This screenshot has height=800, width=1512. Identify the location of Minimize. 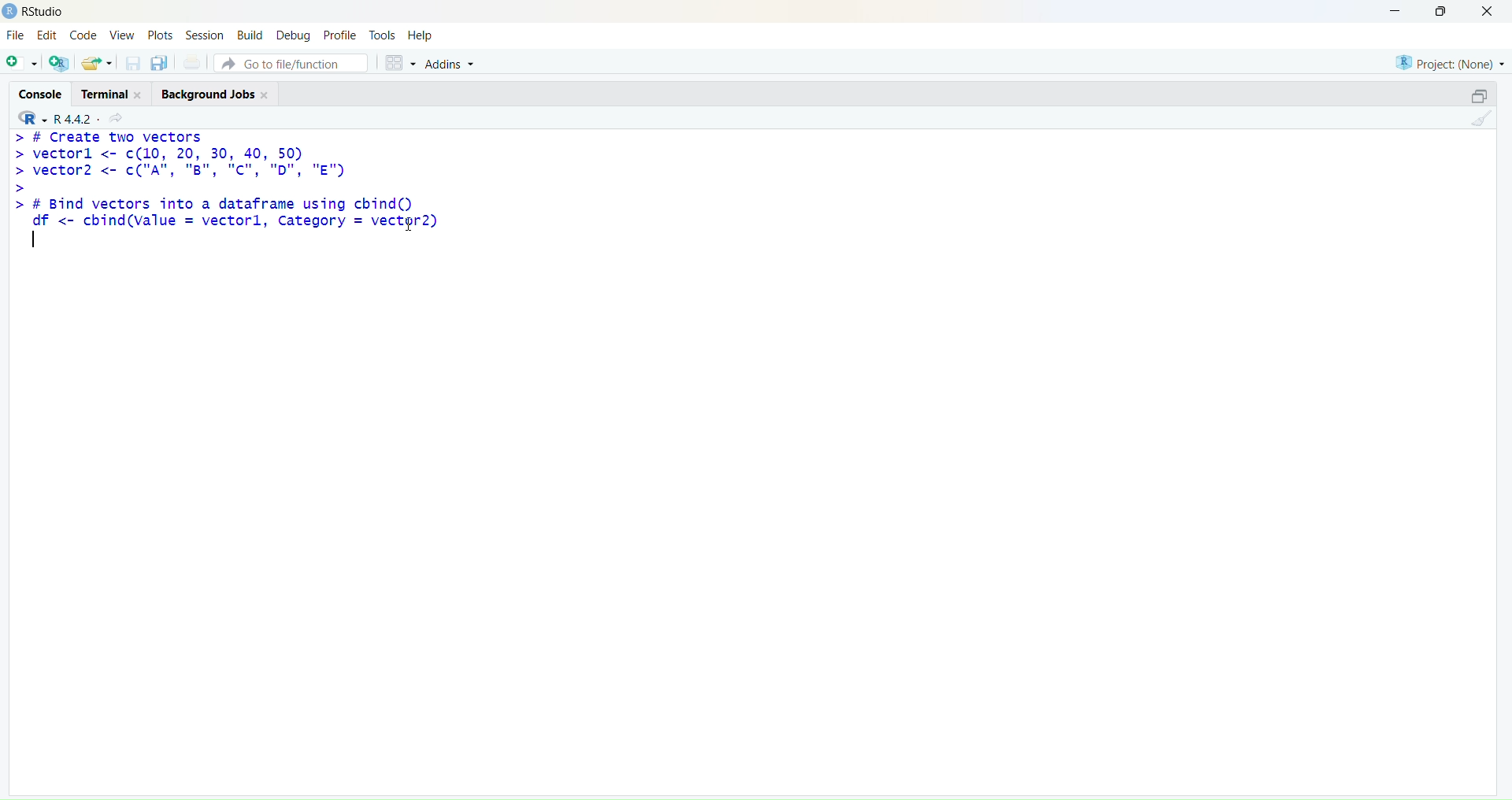
(1395, 12).